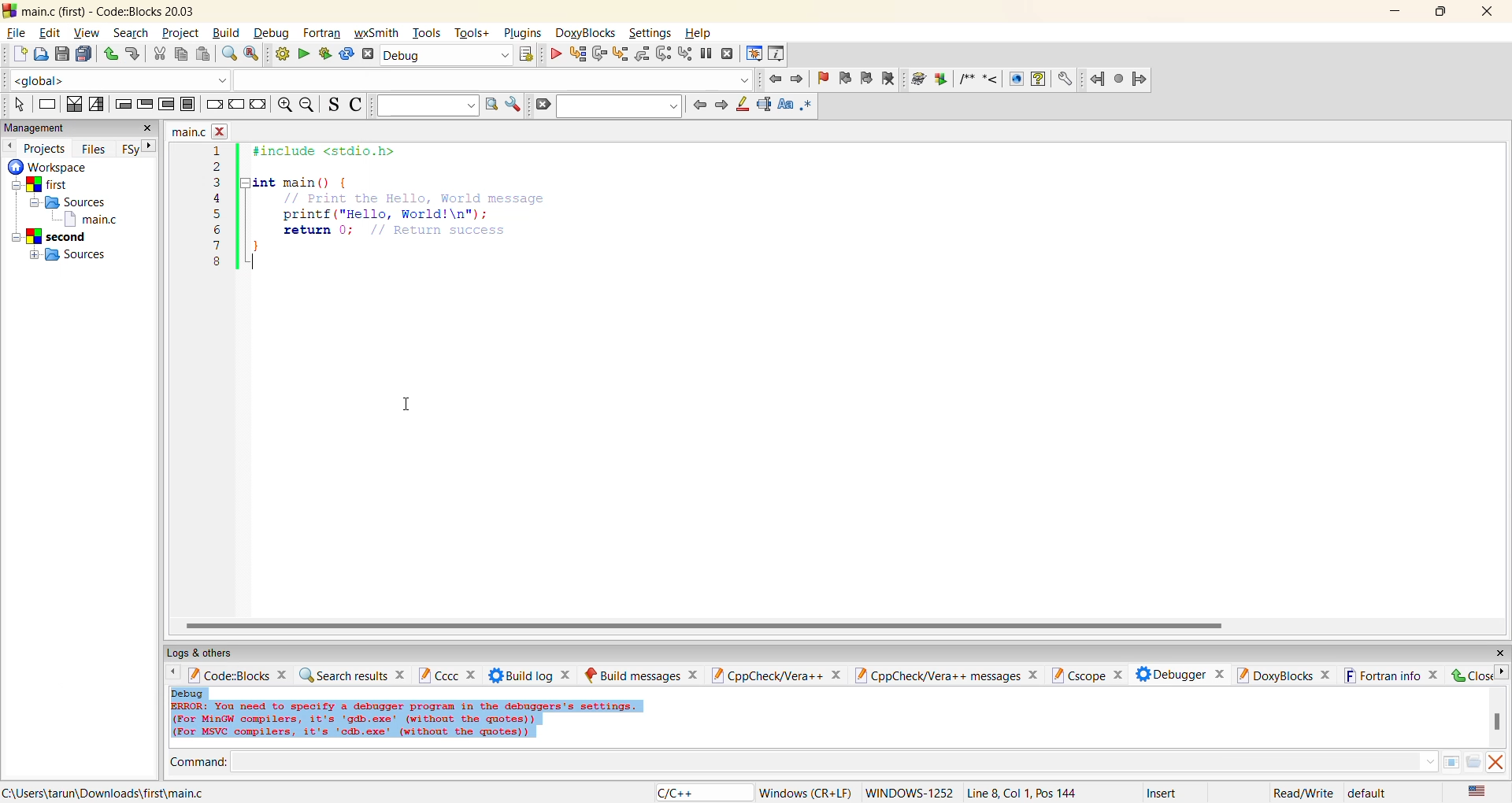  What do you see at coordinates (1501, 723) in the screenshot?
I see `vertical scroll bar` at bounding box center [1501, 723].